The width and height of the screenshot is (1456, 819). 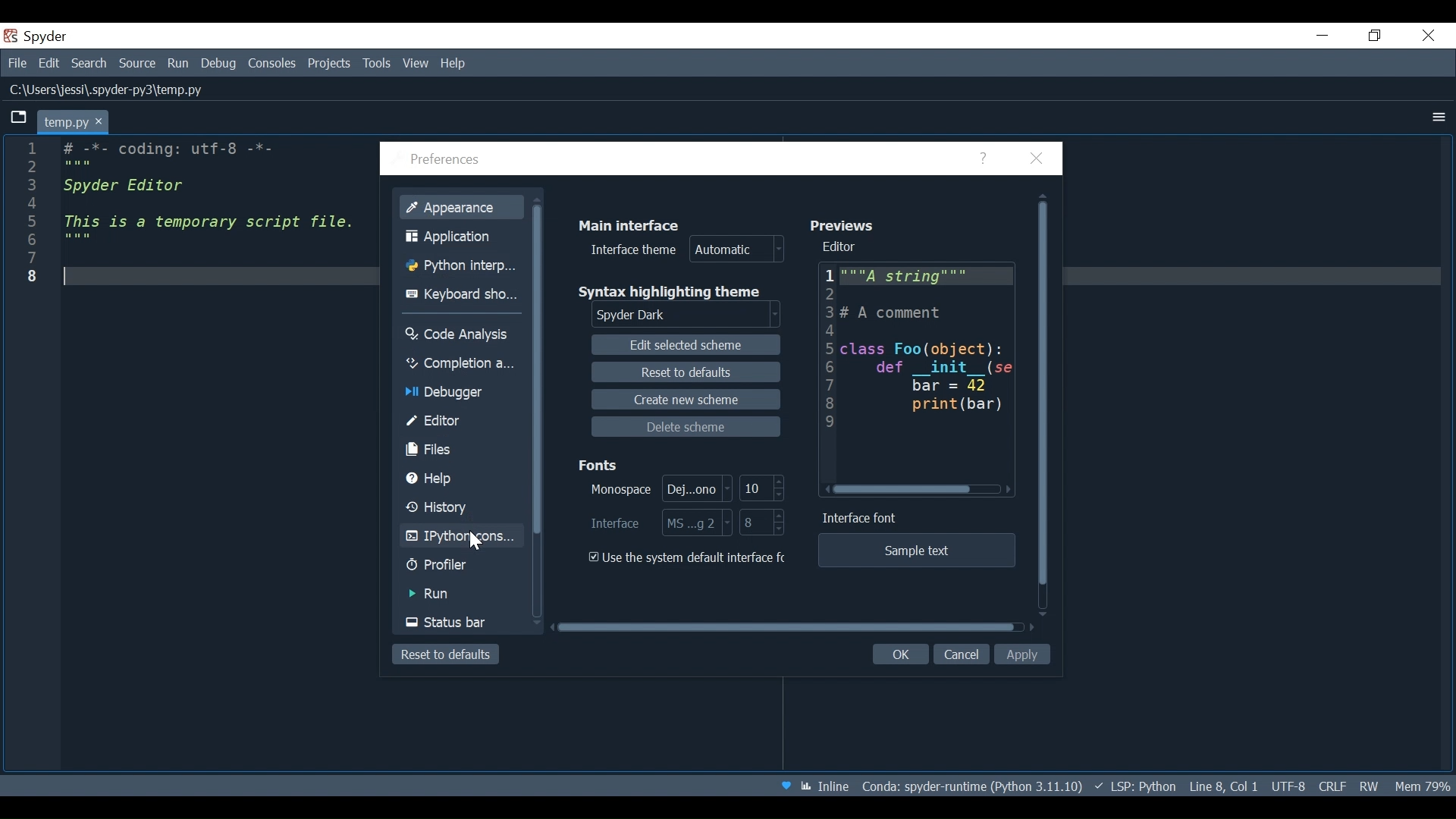 What do you see at coordinates (460, 422) in the screenshot?
I see `Editor` at bounding box center [460, 422].